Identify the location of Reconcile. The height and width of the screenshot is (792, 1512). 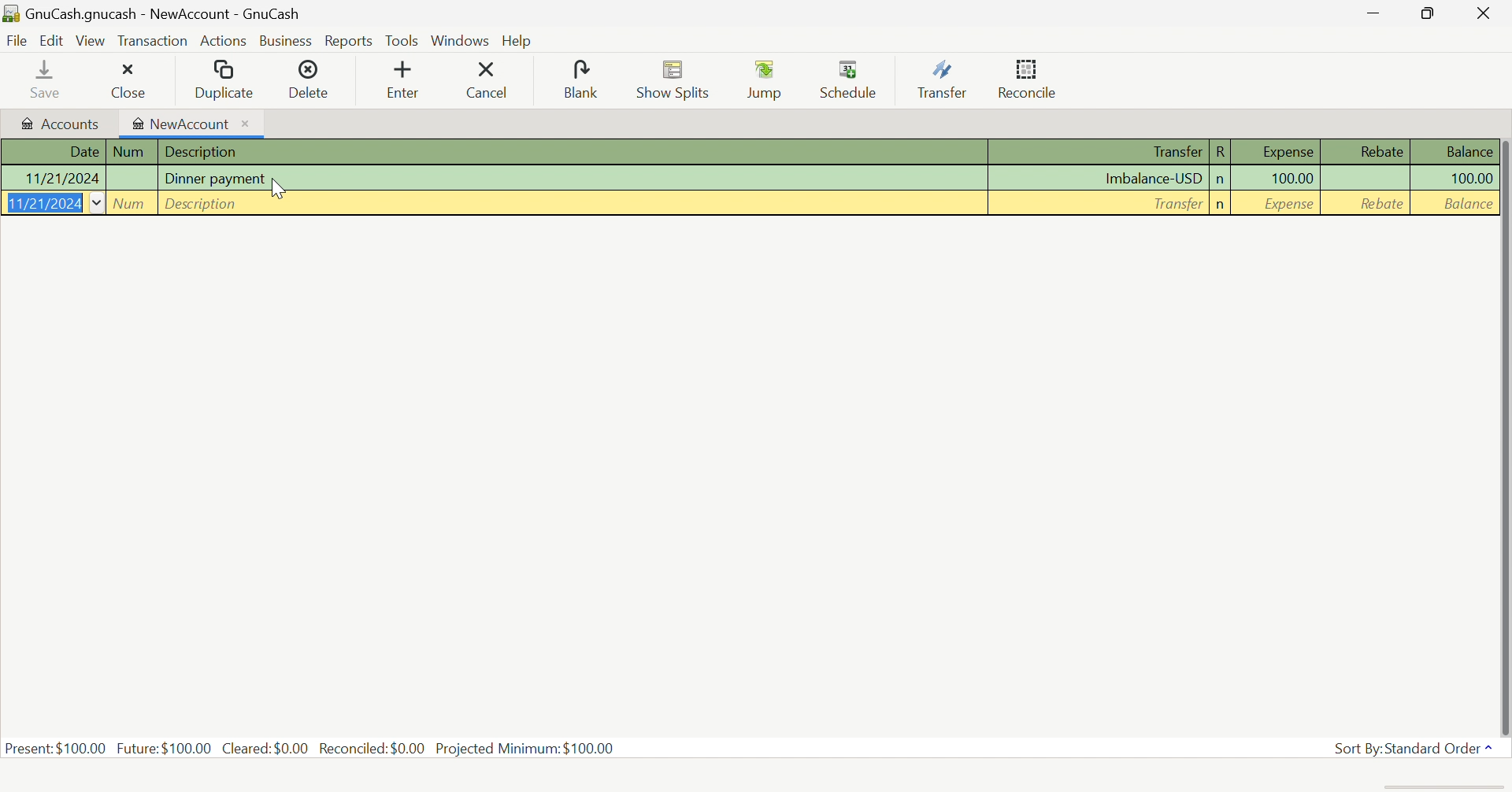
(1031, 78).